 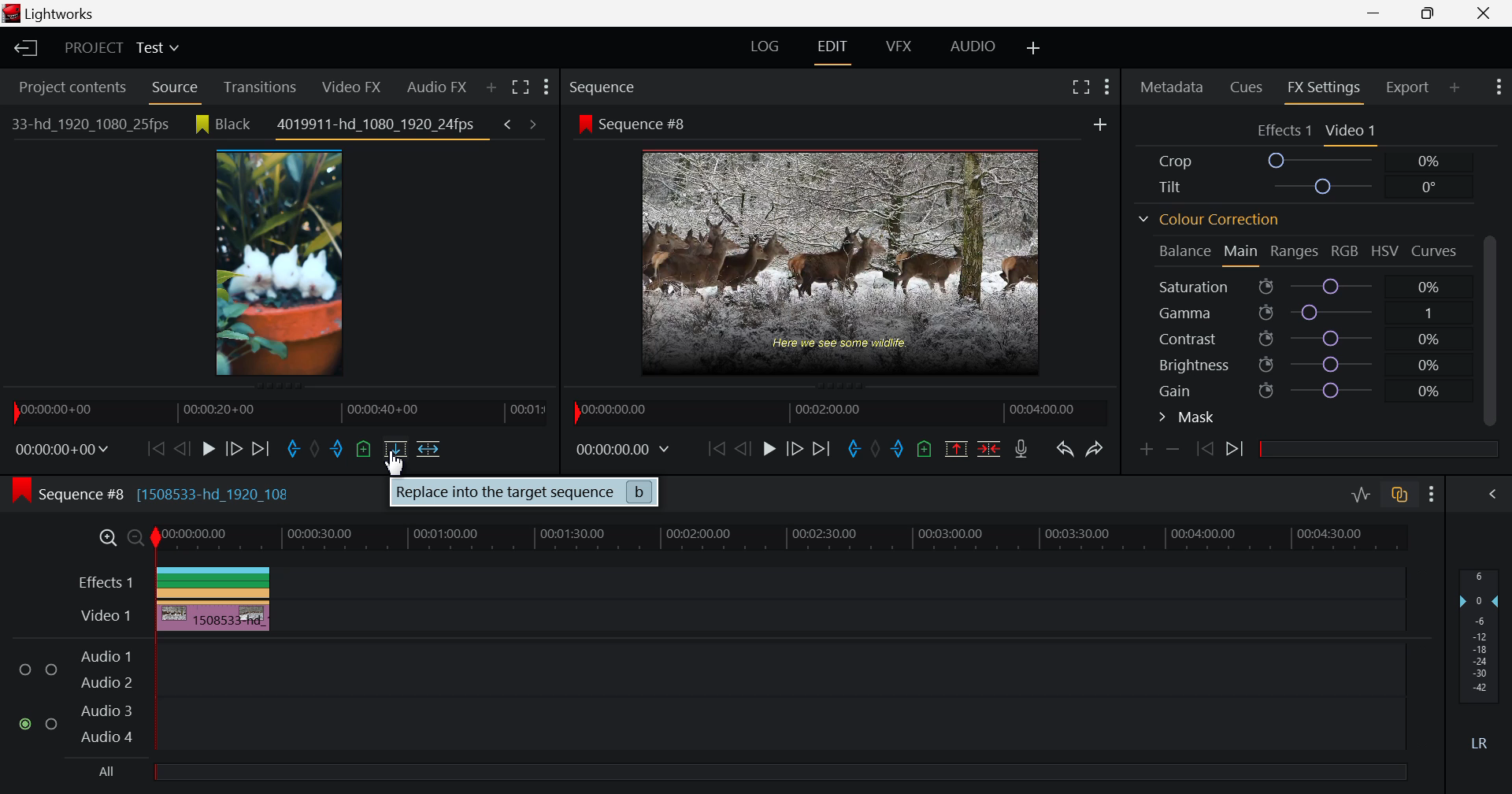 What do you see at coordinates (795, 447) in the screenshot?
I see `Go Forward` at bounding box center [795, 447].